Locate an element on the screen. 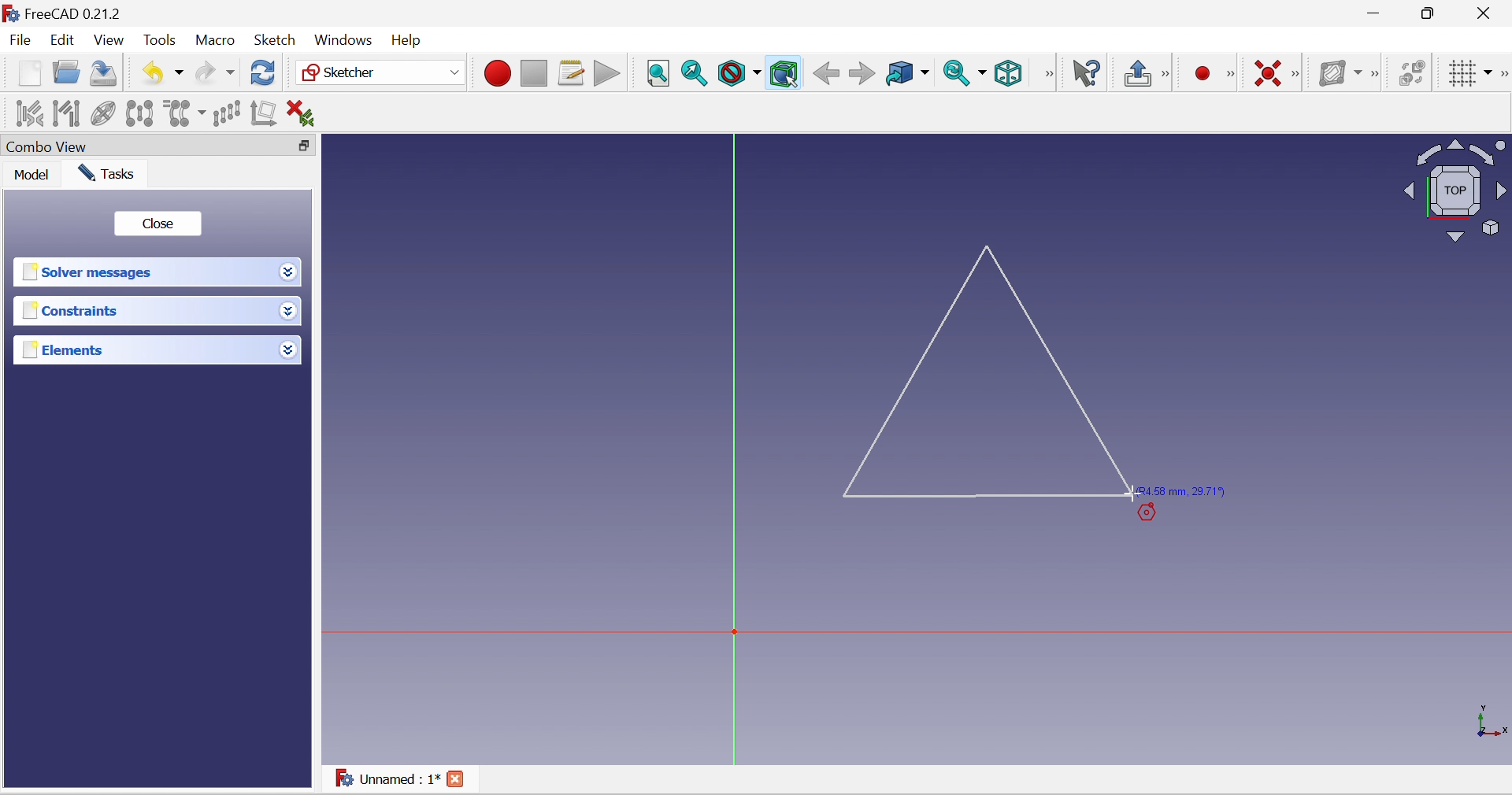  File is located at coordinates (20, 39).